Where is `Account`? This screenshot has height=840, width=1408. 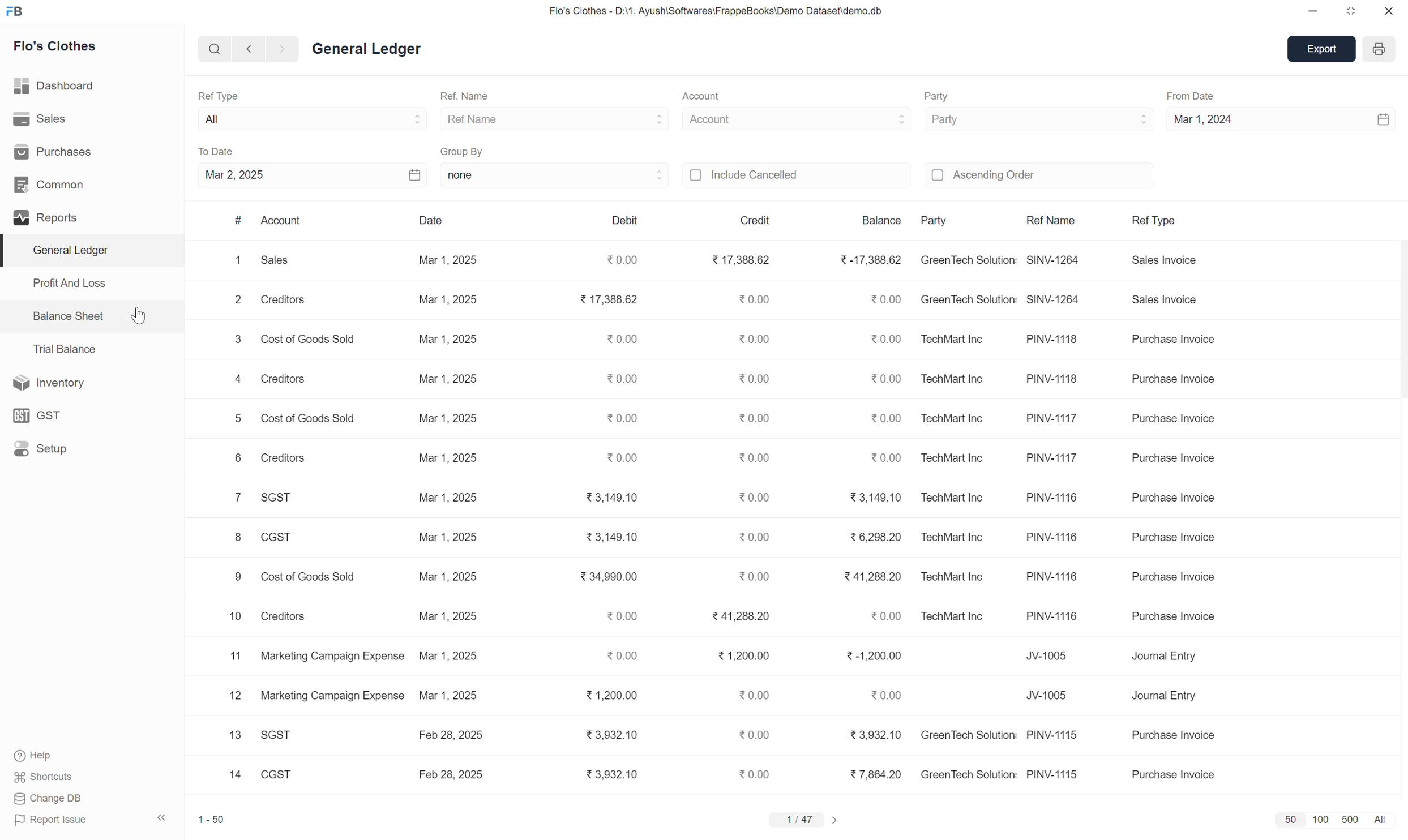
Account is located at coordinates (706, 96).